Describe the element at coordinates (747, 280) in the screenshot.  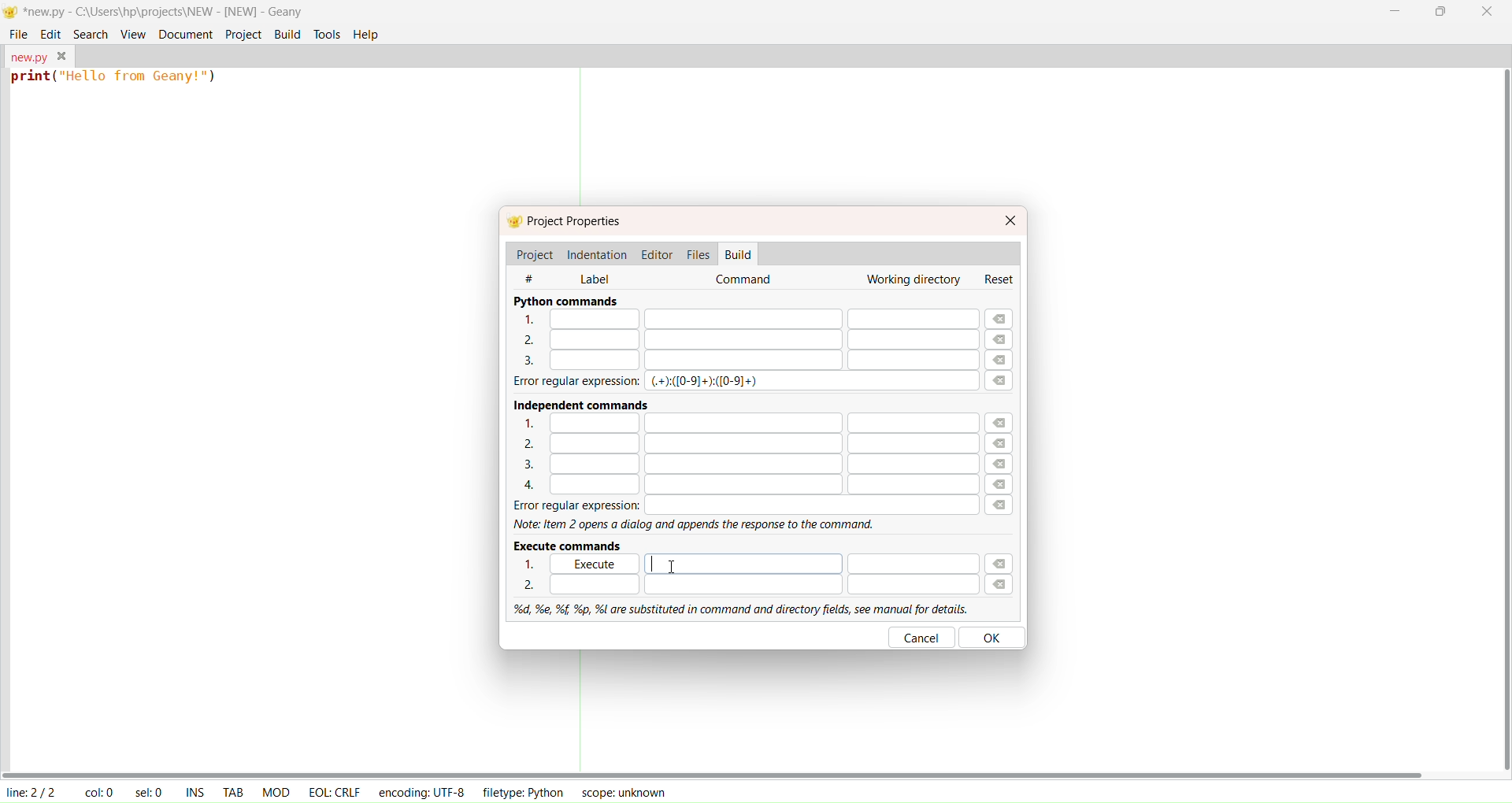
I see `commands` at that location.